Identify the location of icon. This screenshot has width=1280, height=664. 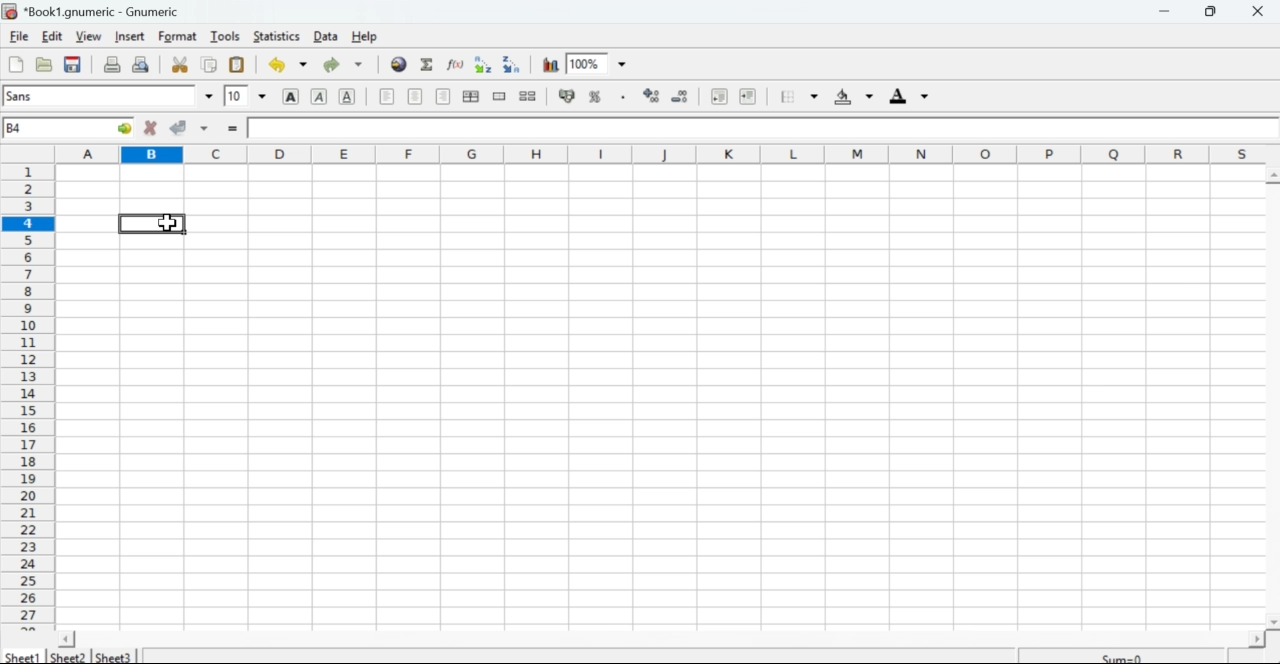
(10, 11).